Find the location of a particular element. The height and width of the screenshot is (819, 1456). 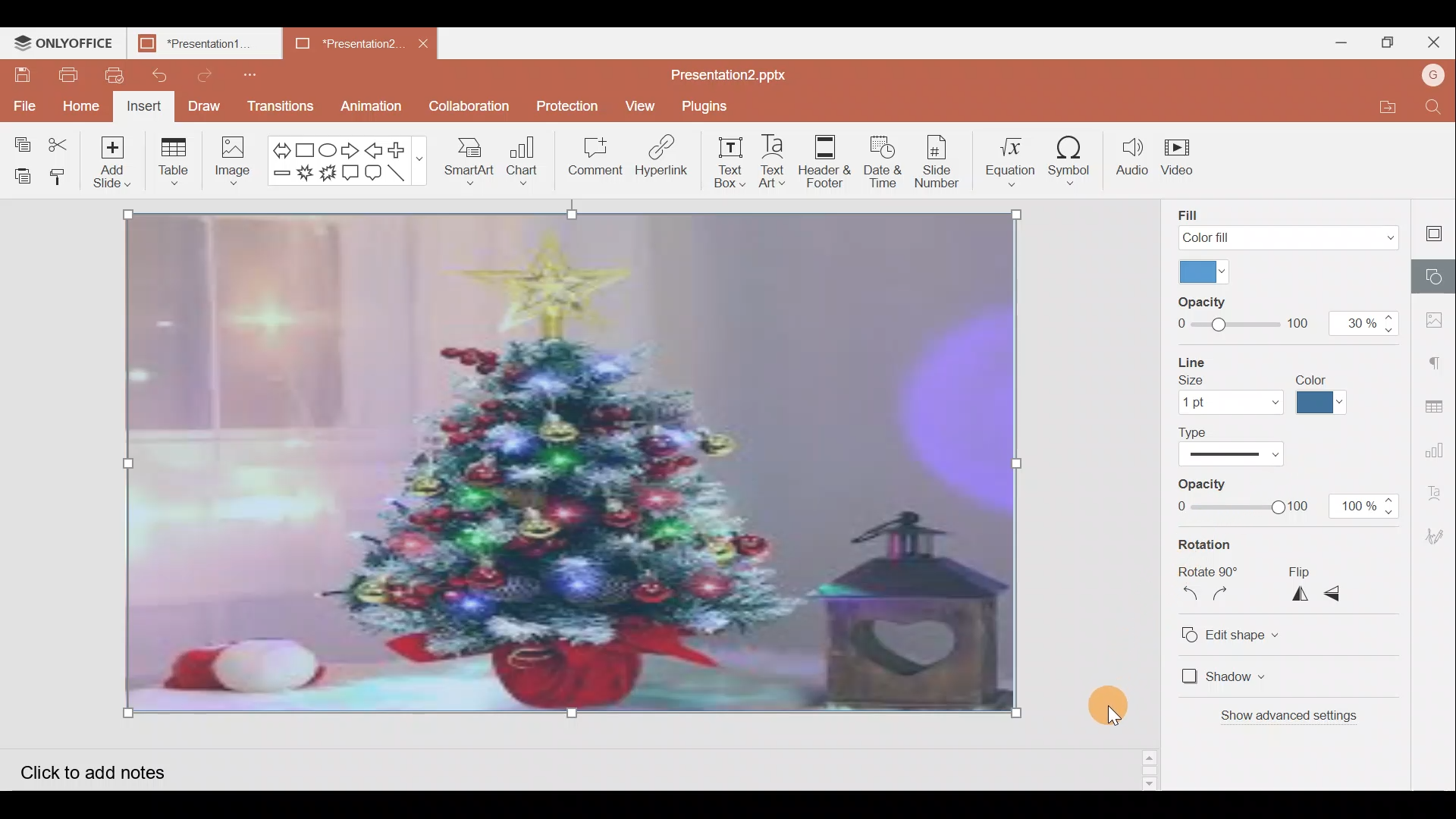

Paste is located at coordinates (21, 173).